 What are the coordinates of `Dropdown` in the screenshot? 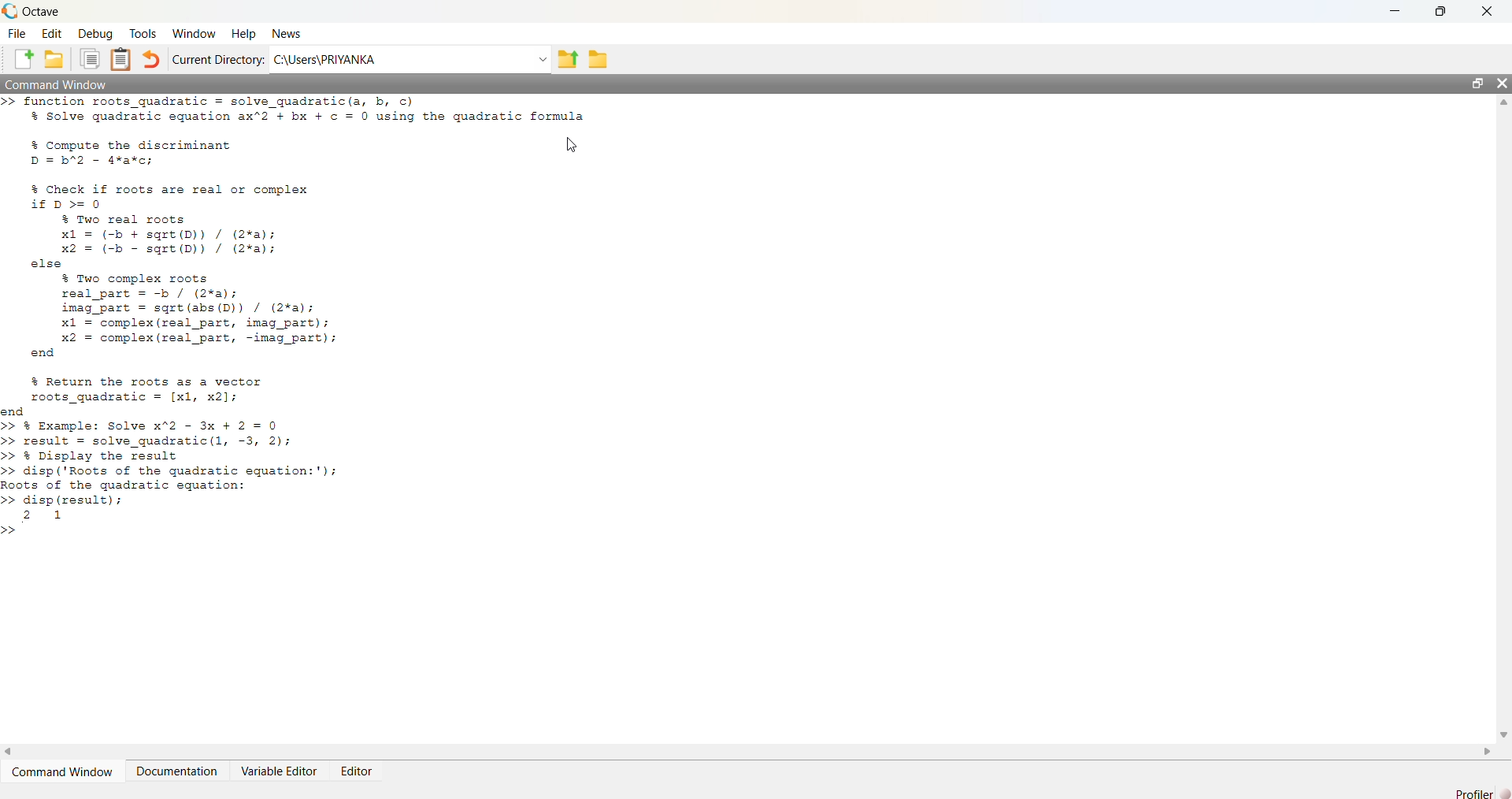 It's located at (542, 59).